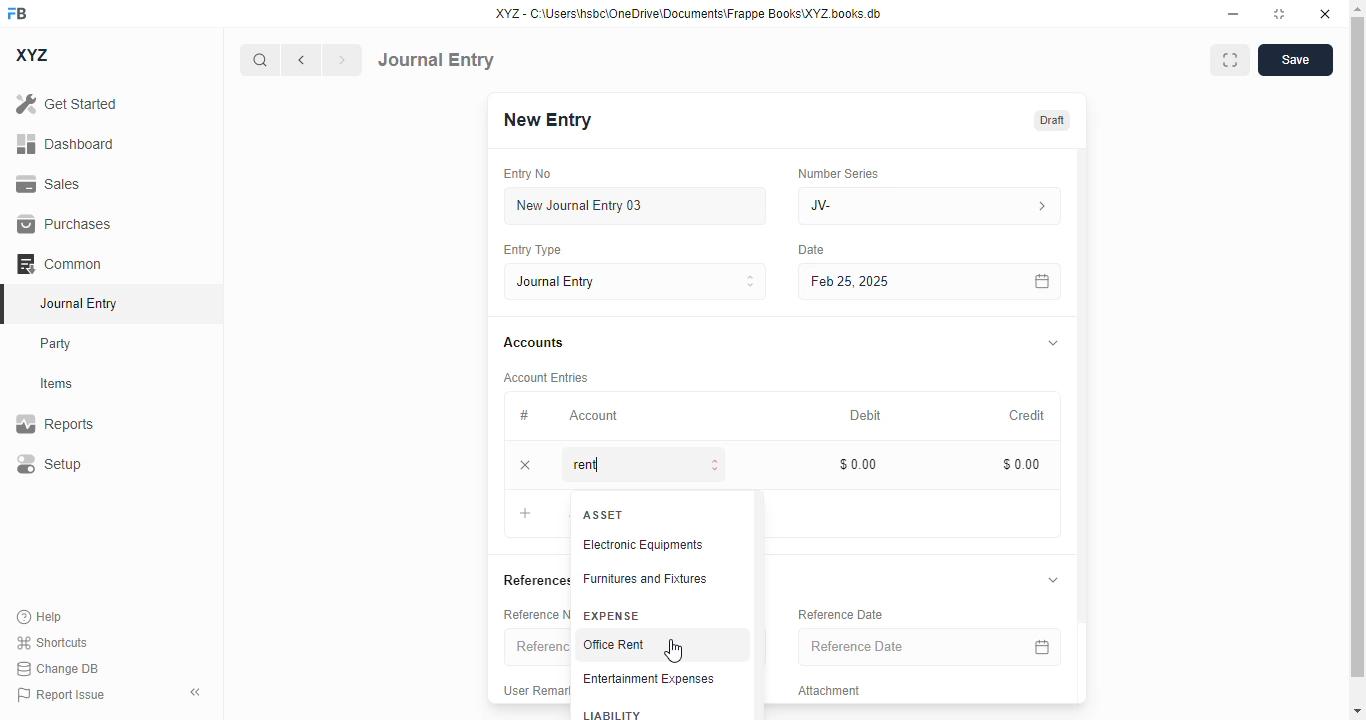 This screenshot has height=720, width=1366. What do you see at coordinates (48, 463) in the screenshot?
I see `setup` at bounding box center [48, 463].